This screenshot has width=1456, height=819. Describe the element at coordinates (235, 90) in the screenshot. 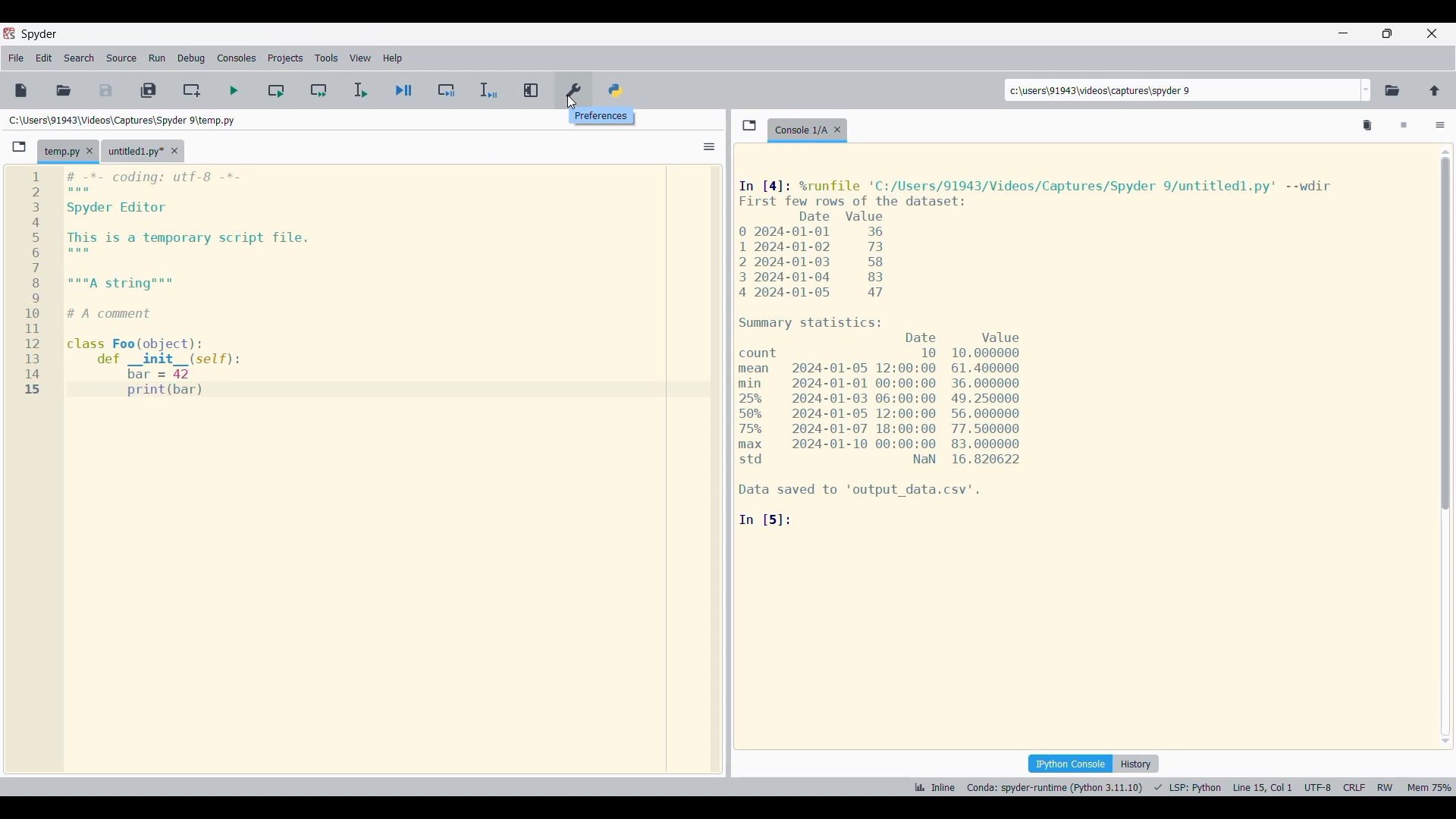

I see `Run file` at that location.